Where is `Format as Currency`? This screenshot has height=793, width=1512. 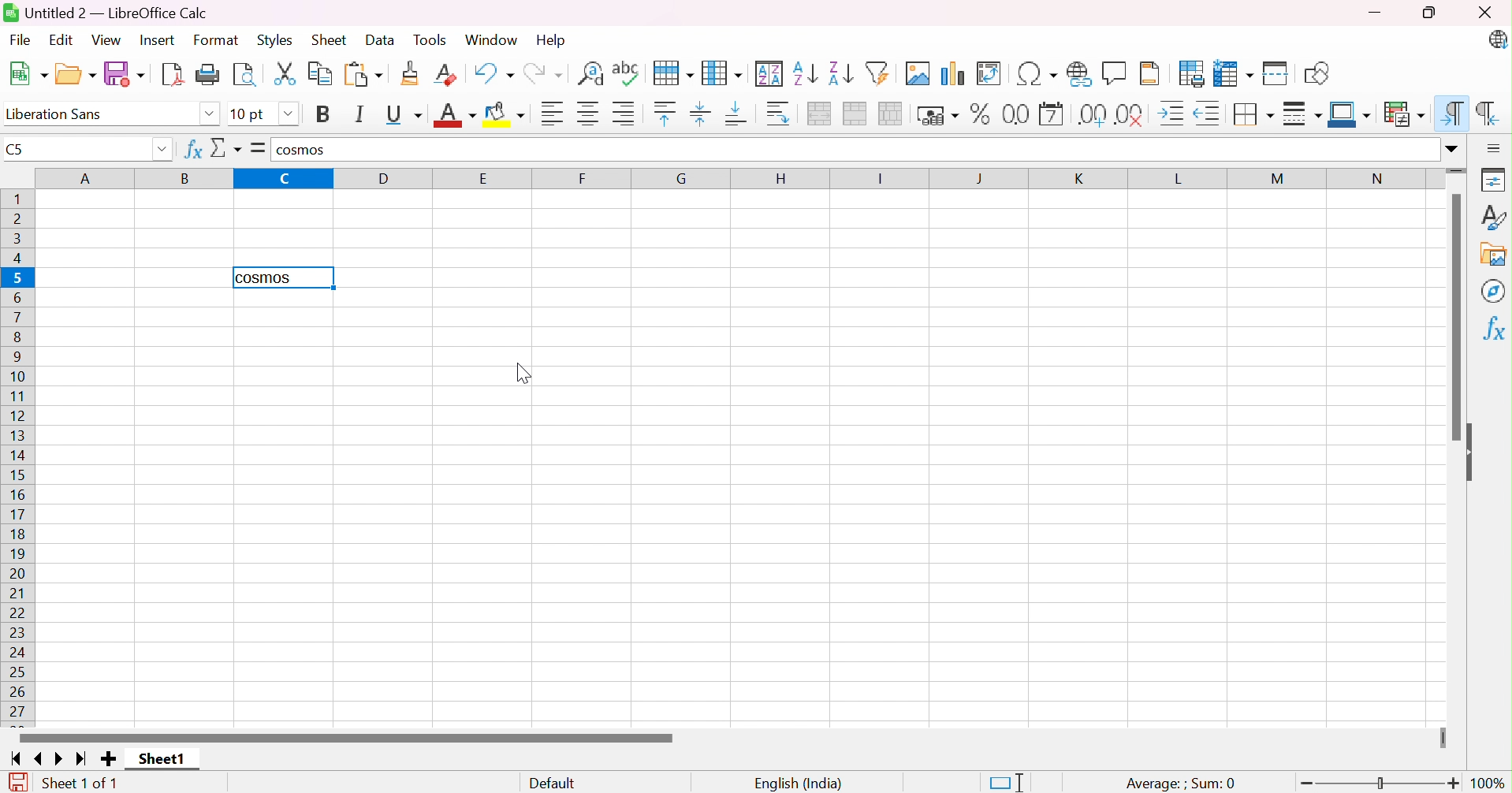
Format as Currency is located at coordinates (938, 114).